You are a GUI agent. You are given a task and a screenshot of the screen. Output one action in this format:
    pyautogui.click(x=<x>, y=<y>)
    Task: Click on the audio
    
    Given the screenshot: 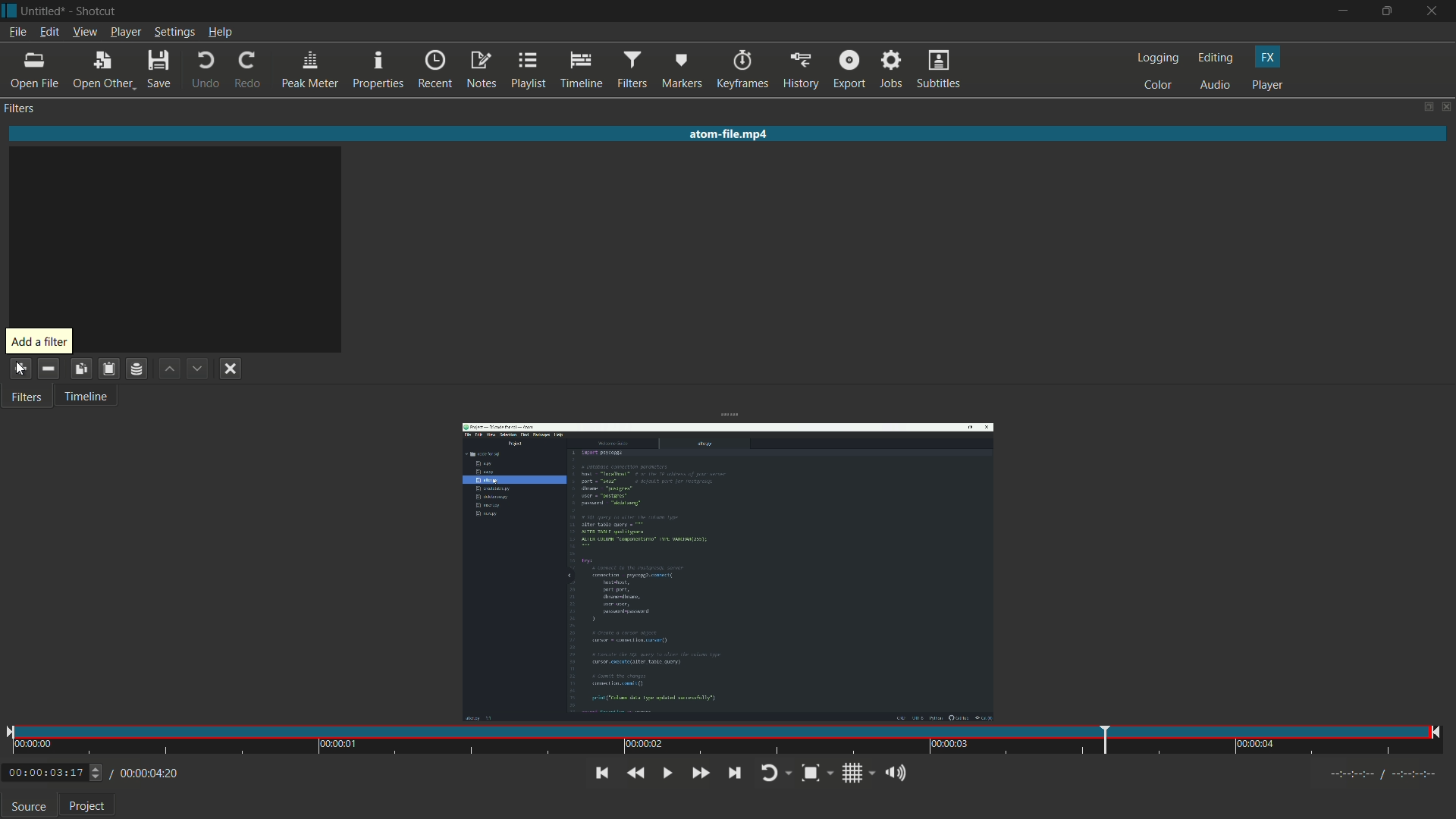 What is the action you would take?
    pyautogui.click(x=1216, y=86)
    